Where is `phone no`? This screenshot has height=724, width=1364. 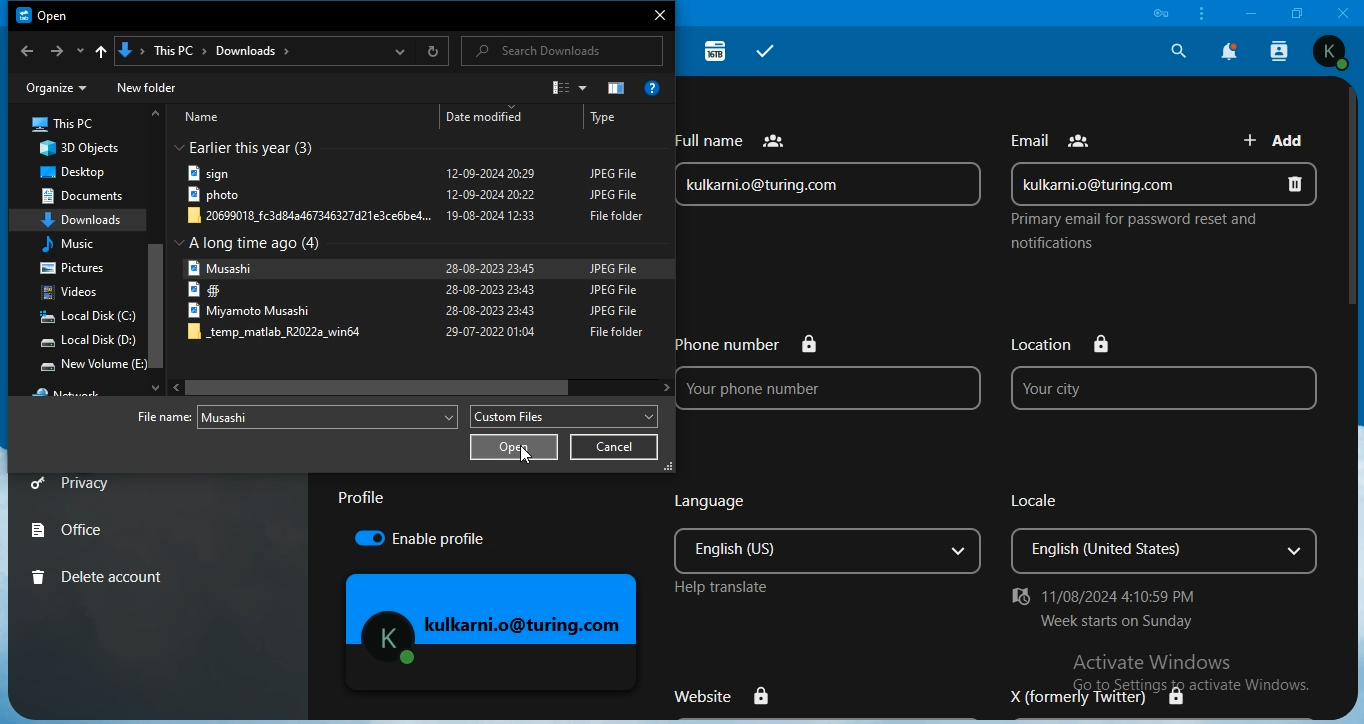
phone no is located at coordinates (836, 373).